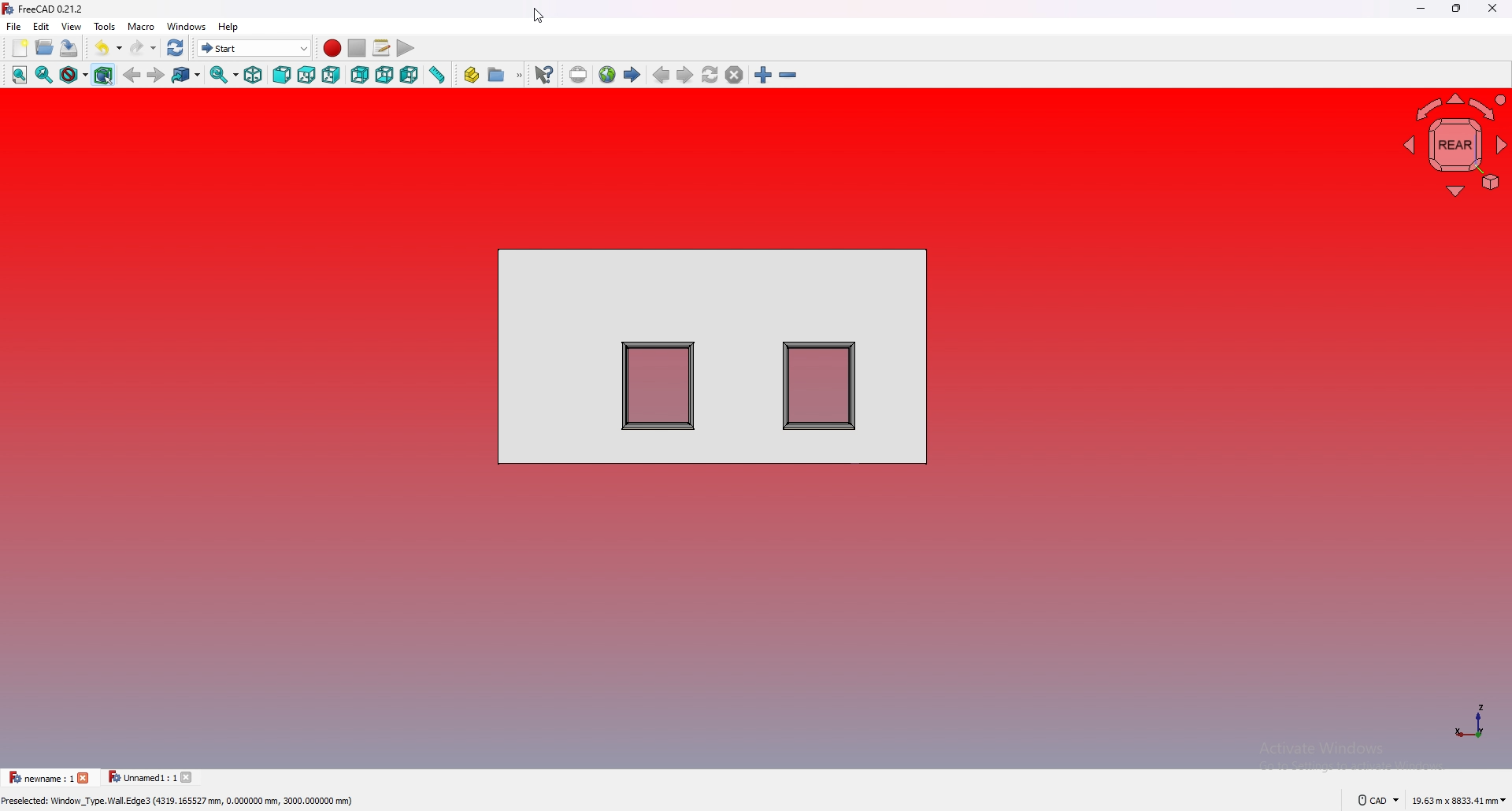  What do you see at coordinates (405, 48) in the screenshot?
I see `execute macro` at bounding box center [405, 48].